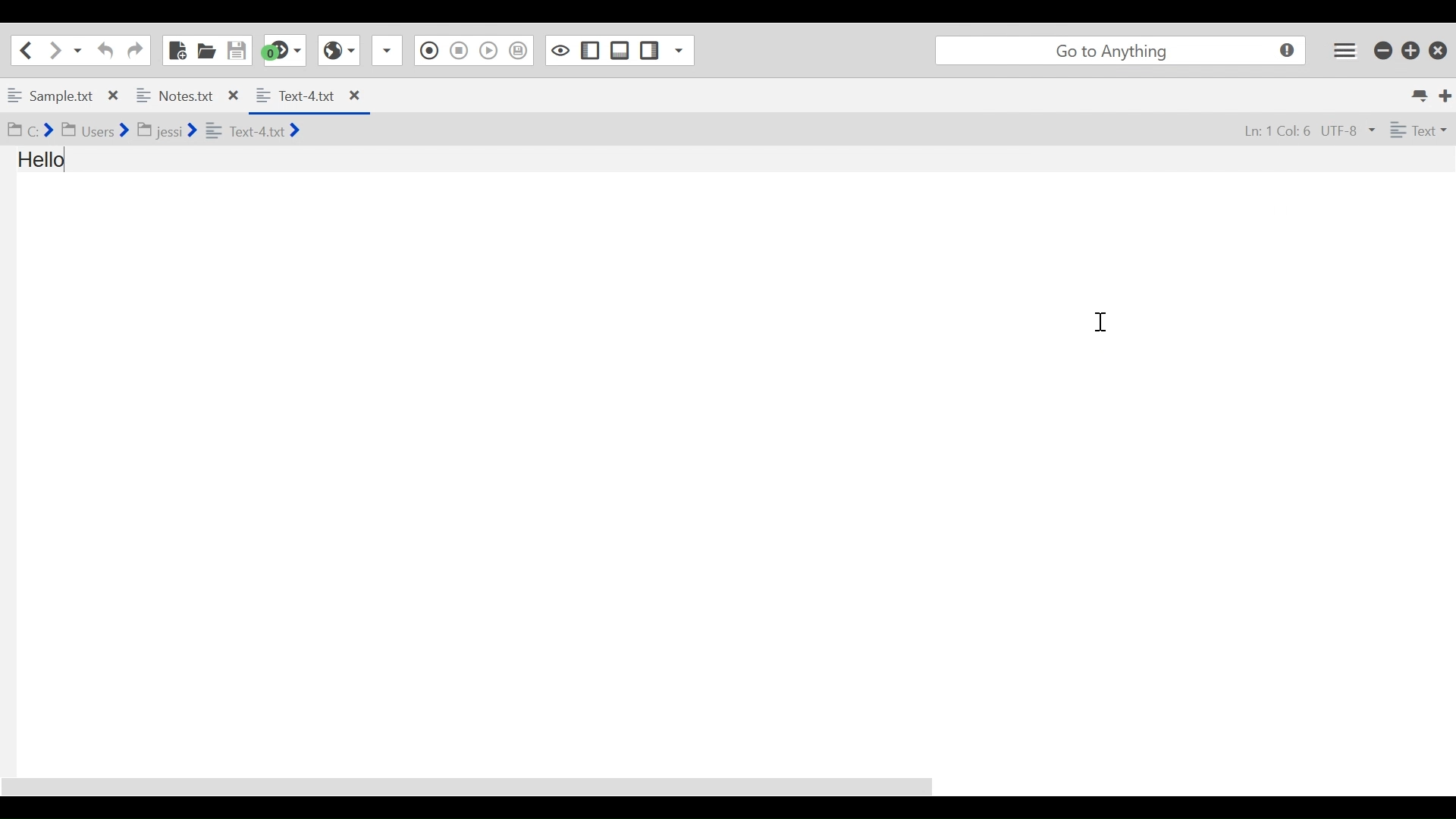 This screenshot has width=1456, height=819. I want to click on Undo last Action, so click(104, 50).